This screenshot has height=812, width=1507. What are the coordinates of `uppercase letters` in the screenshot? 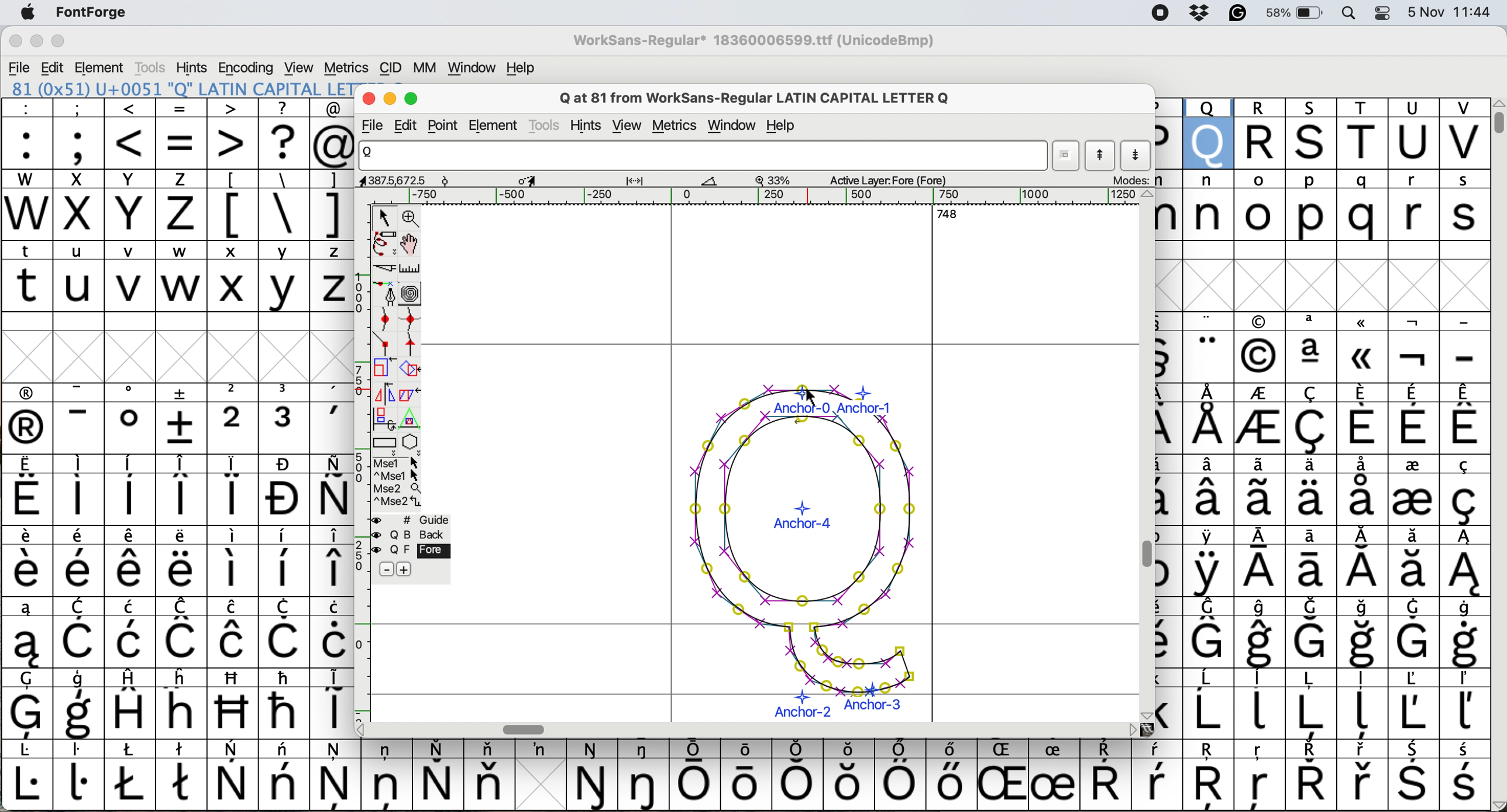 It's located at (174, 290).